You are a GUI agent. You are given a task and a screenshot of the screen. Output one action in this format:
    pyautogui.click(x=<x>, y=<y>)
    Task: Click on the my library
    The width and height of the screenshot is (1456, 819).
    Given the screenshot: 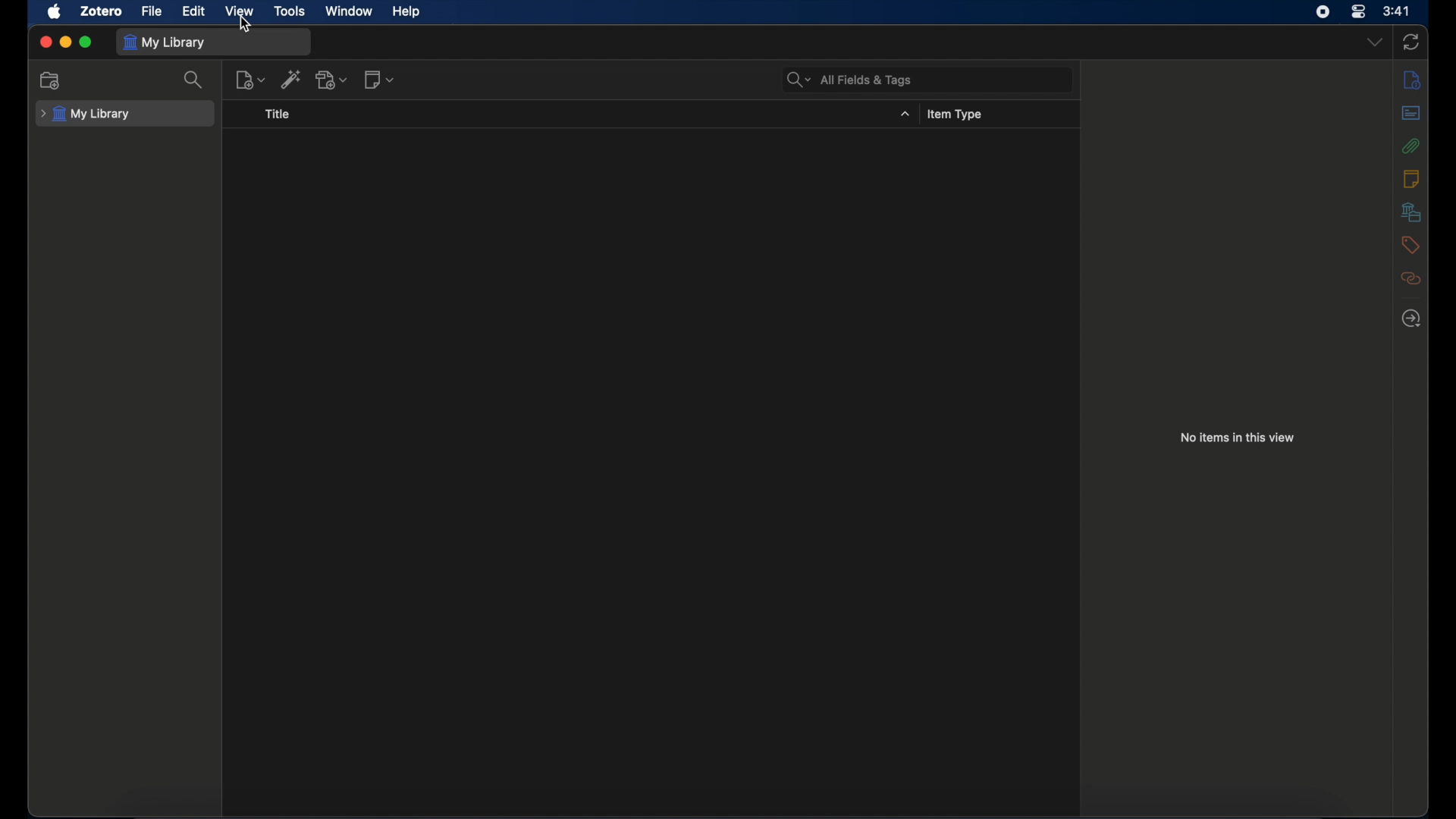 What is the action you would take?
    pyautogui.click(x=85, y=114)
    